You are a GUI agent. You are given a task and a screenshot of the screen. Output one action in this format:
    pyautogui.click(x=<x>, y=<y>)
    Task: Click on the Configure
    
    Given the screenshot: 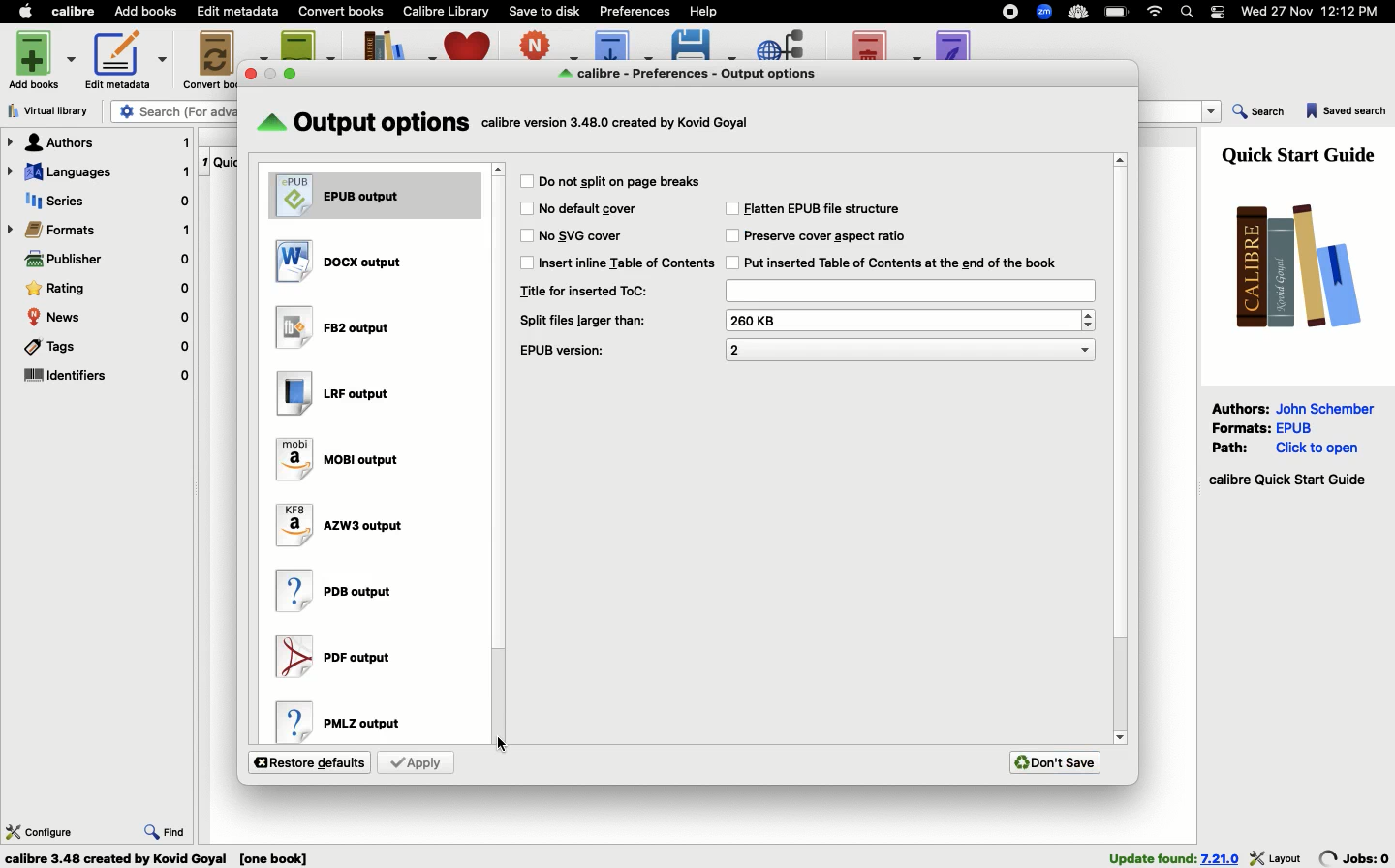 What is the action you would take?
    pyautogui.click(x=40, y=830)
    